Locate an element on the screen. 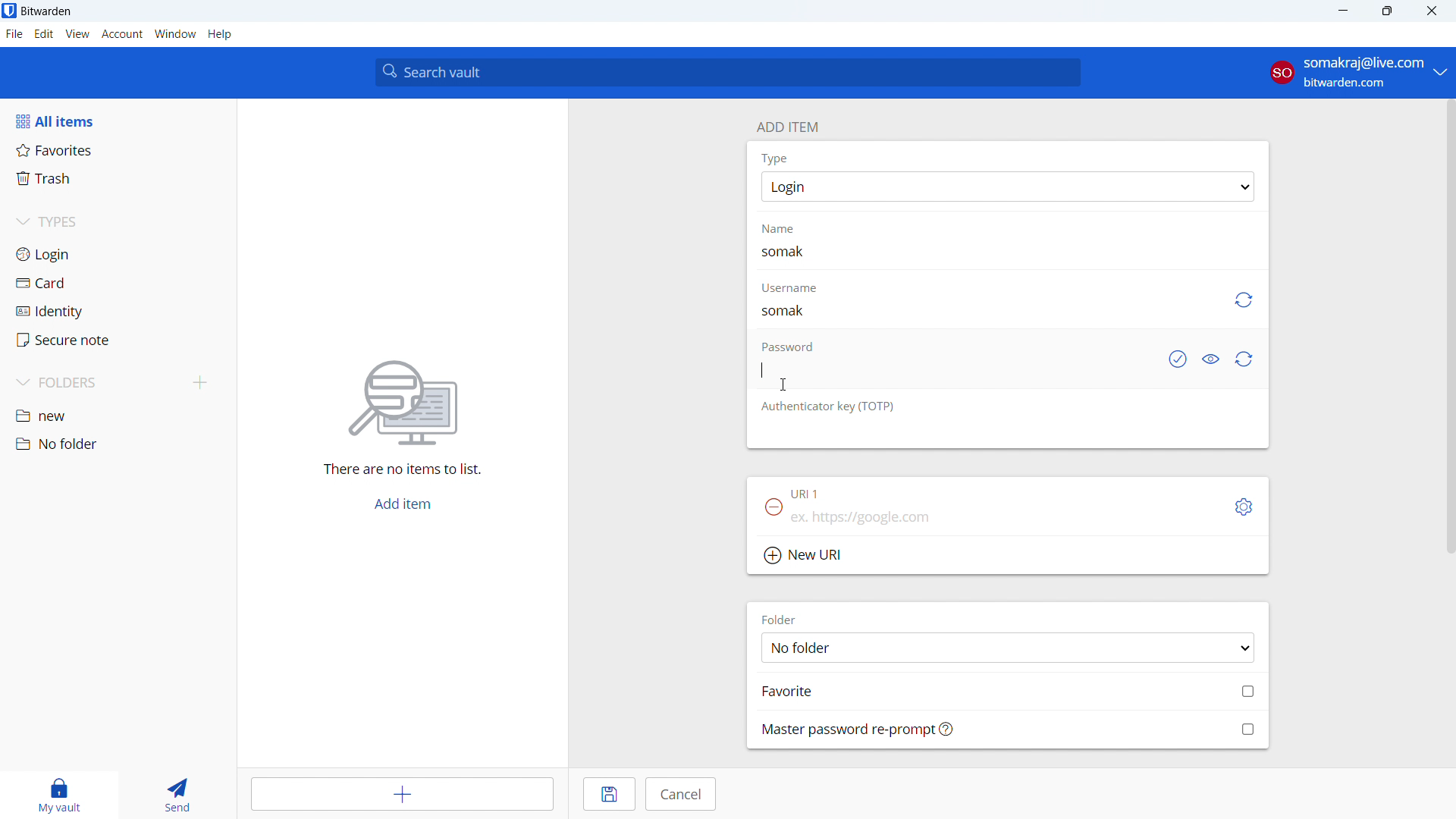  send is located at coordinates (175, 795).